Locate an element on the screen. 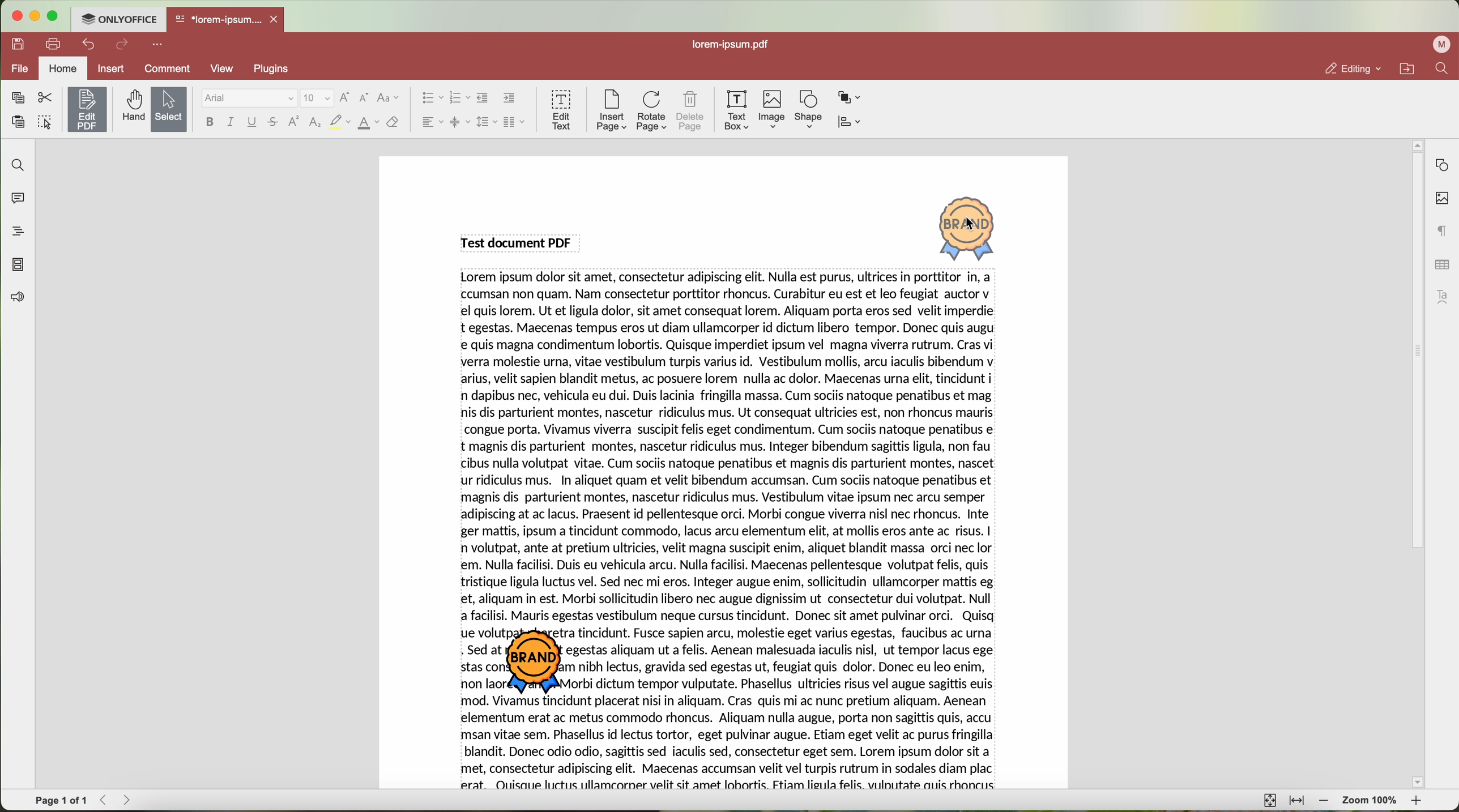 The width and height of the screenshot is (1459, 812). save is located at coordinates (15, 43).